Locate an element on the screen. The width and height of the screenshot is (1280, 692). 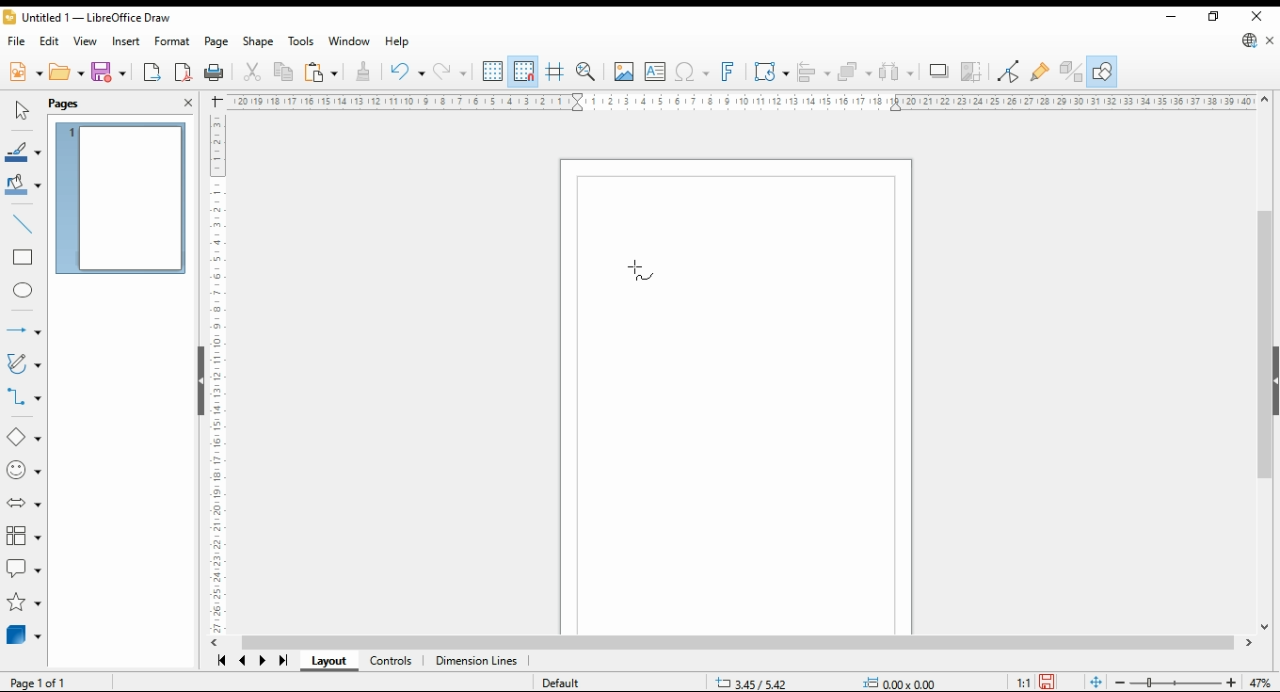
format is located at coordinates (172, 41).